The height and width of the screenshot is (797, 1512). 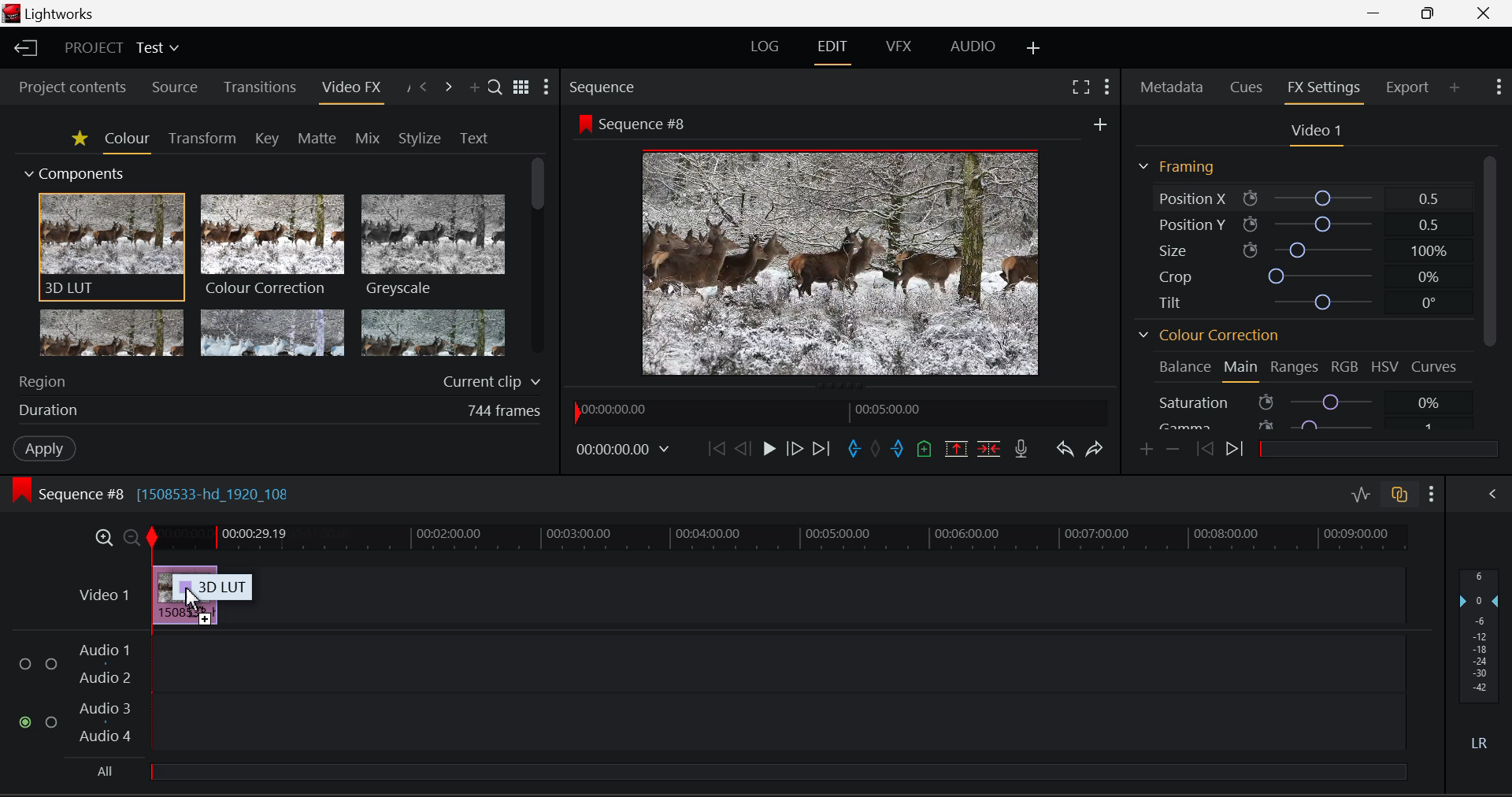 What do you see at coordinates (107, 708) in the screenshot?
I see `Audio 3` at bounding box center [107, 708].